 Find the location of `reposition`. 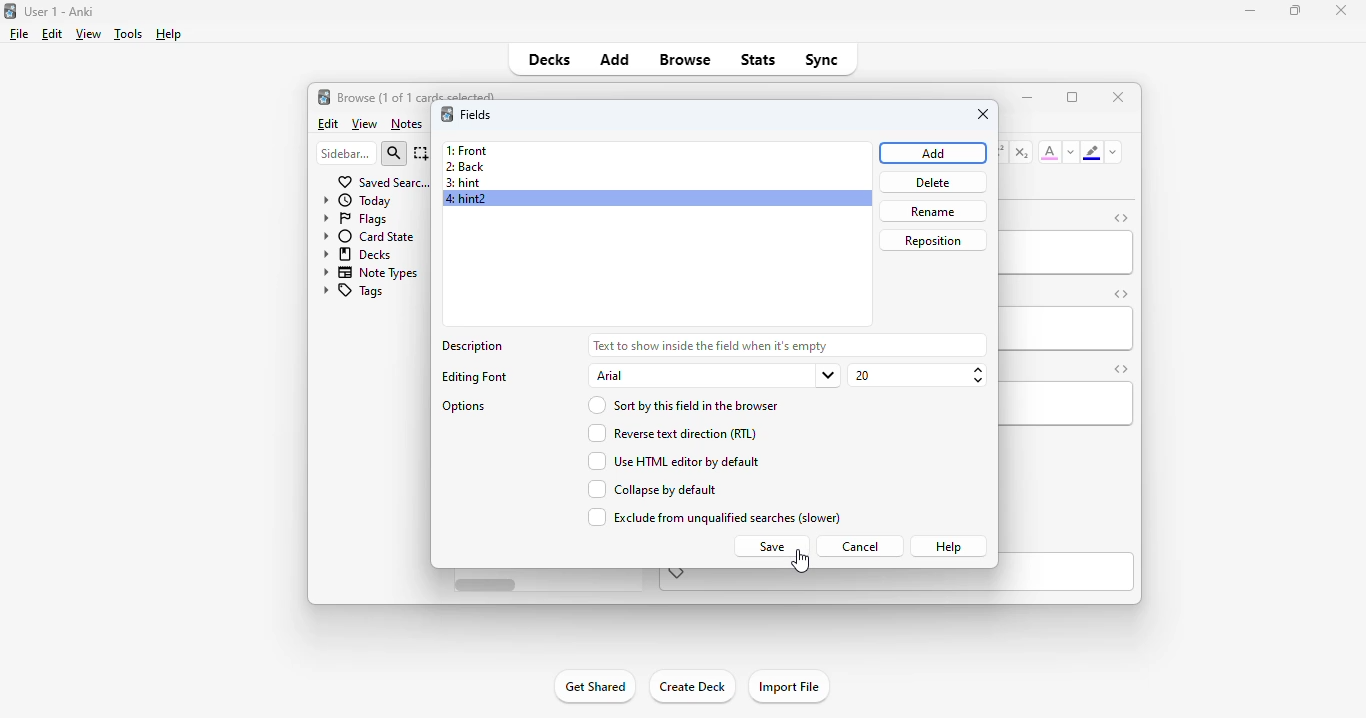

reposition is located at coordinates (934, 241).